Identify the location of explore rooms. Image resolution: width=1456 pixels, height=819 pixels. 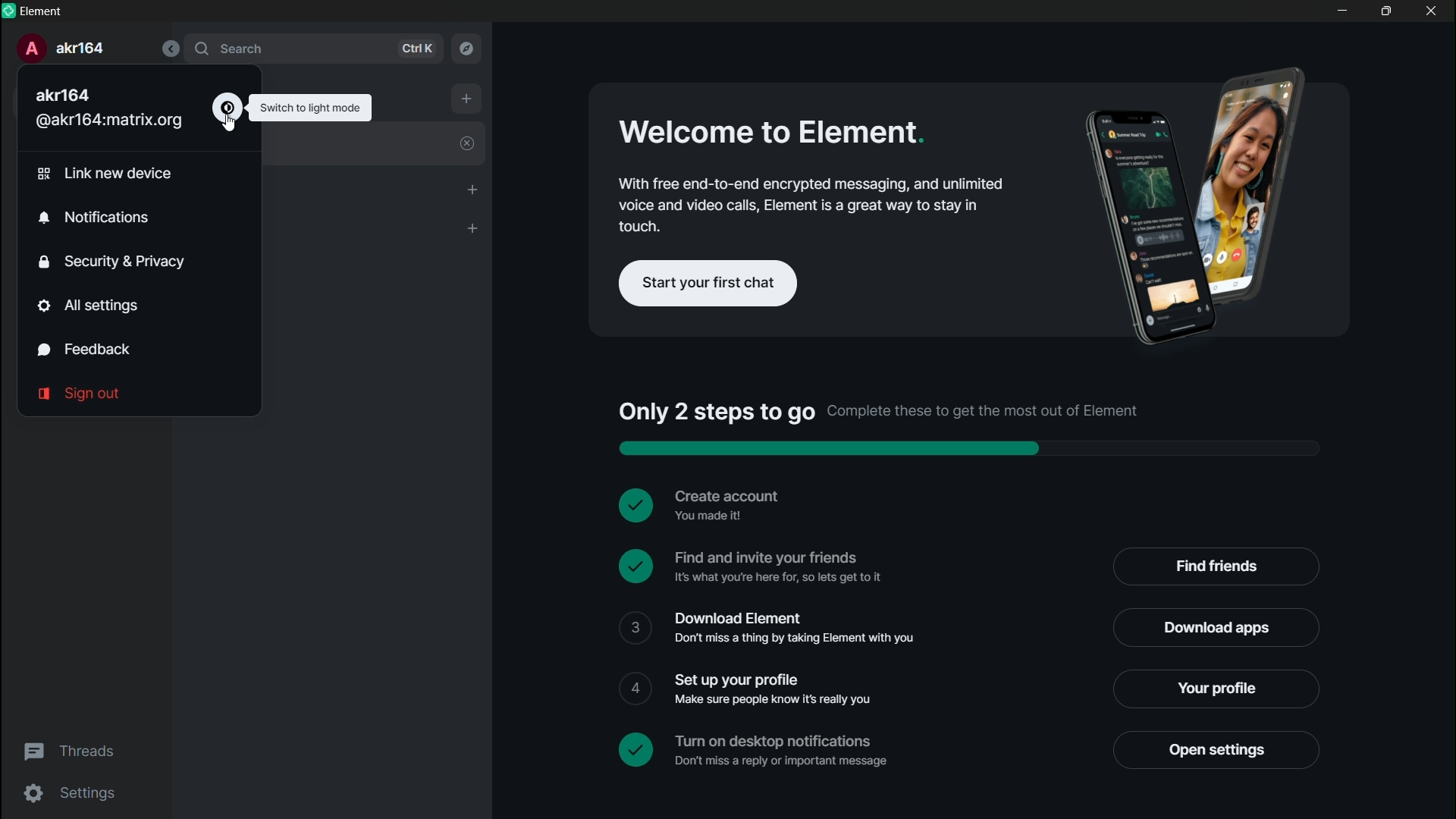
(467, 48).